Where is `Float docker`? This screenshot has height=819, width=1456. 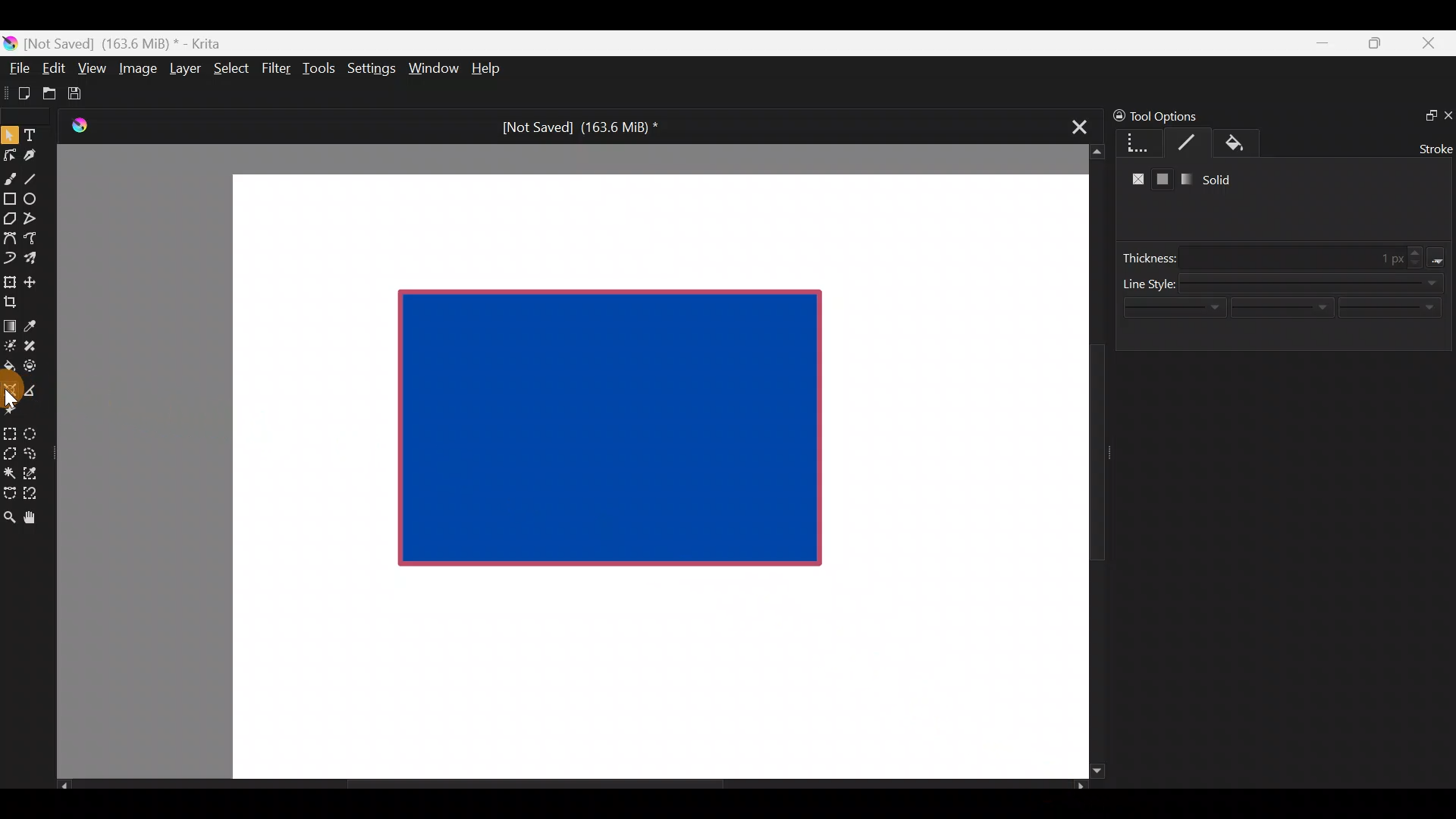
Float docker is located at coordinates (1424, 114).